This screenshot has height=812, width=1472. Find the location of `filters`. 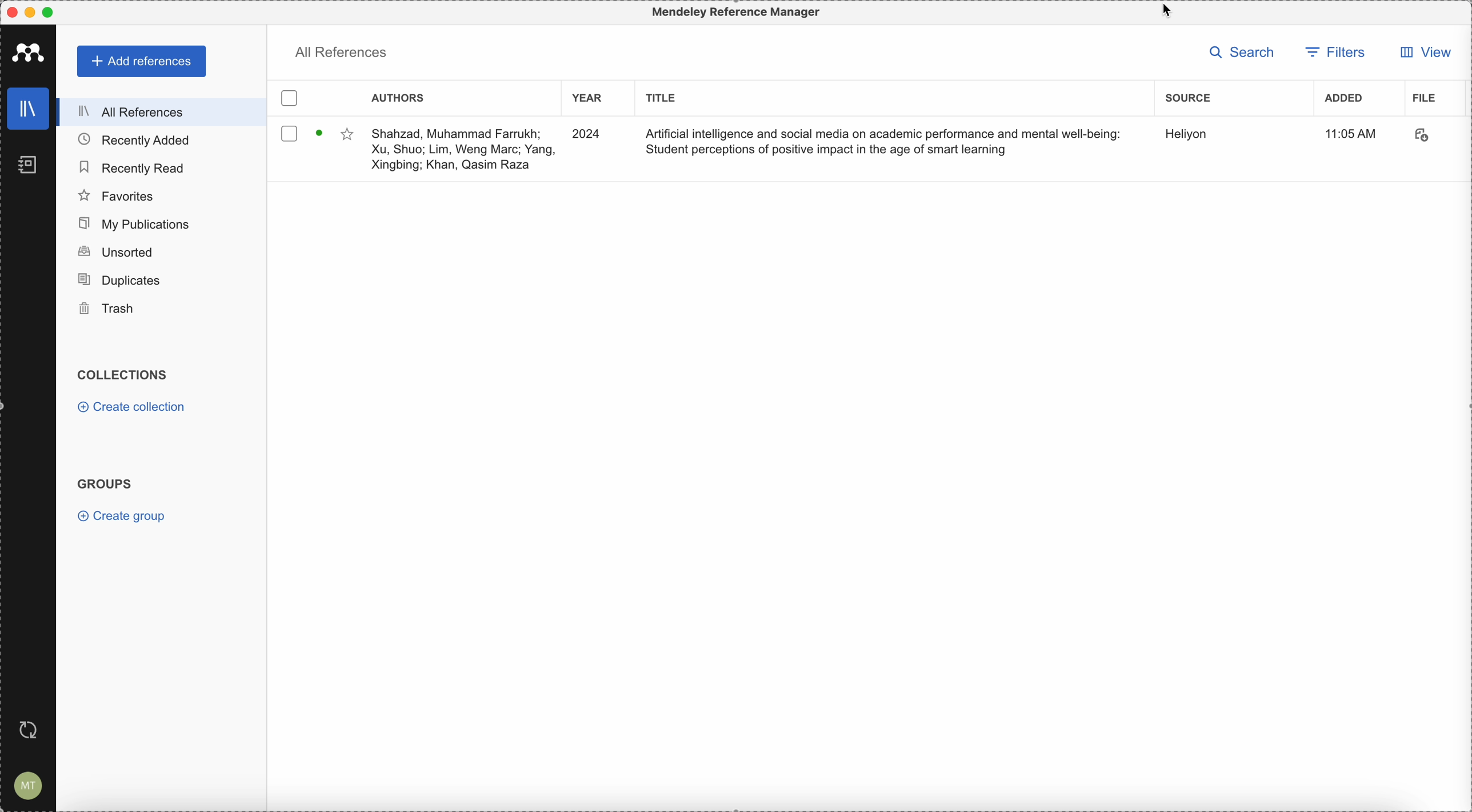

filters is located at coordinates (1337, 52).